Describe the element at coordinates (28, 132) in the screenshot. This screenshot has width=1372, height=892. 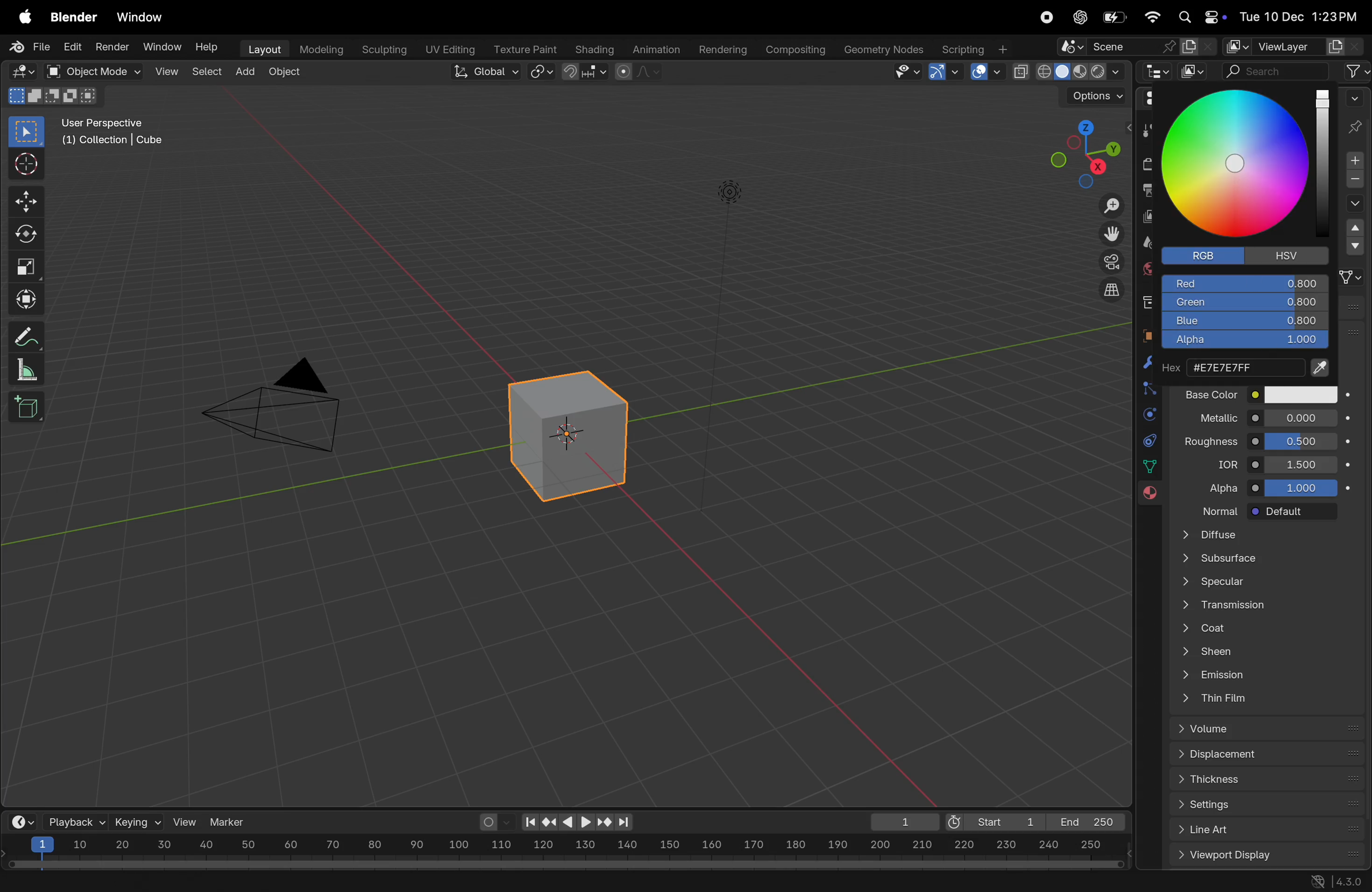
I see `select` at that location.